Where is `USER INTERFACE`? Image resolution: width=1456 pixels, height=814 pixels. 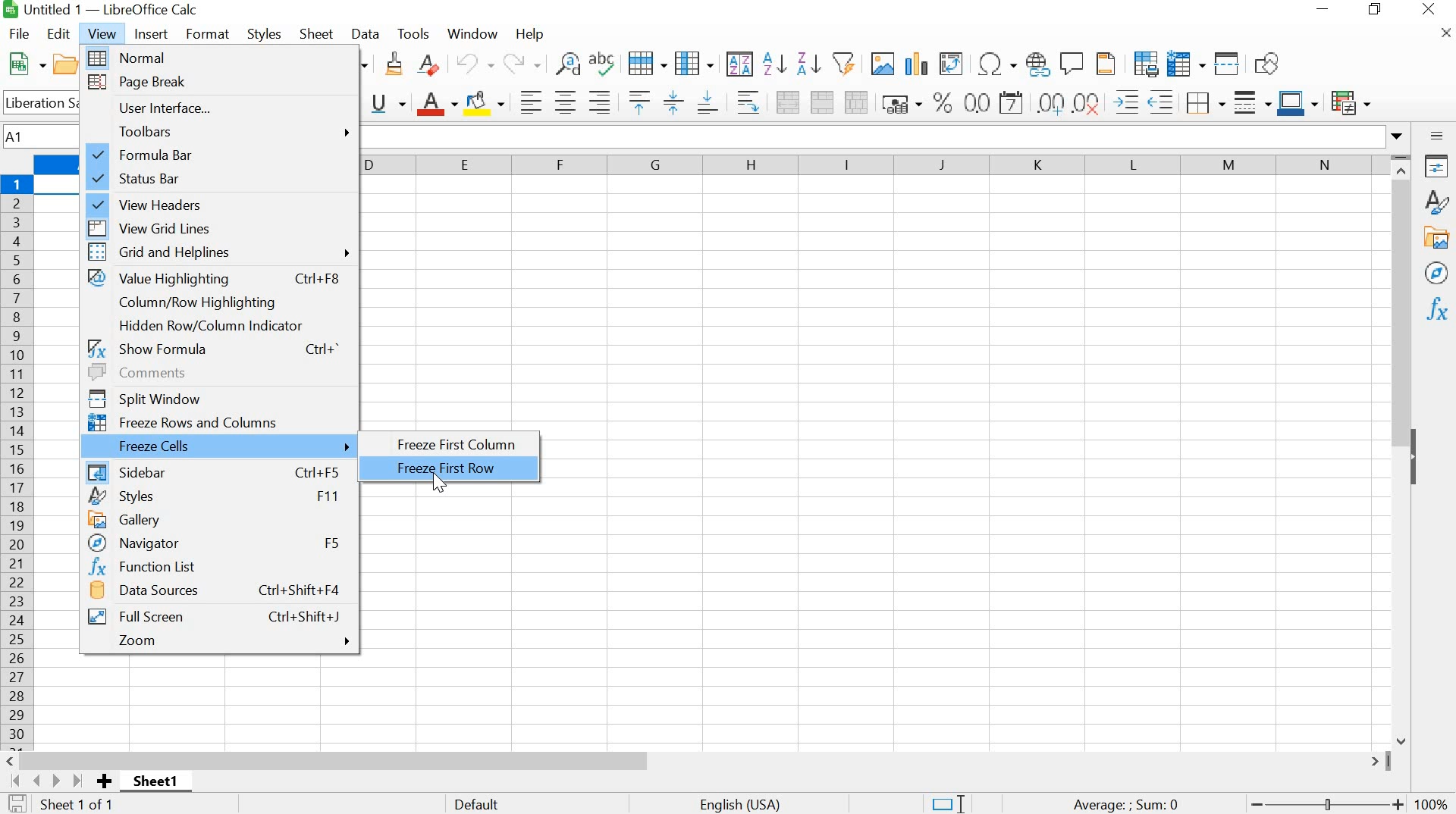 USER INTERFACE is located at coordinates (220, 108).